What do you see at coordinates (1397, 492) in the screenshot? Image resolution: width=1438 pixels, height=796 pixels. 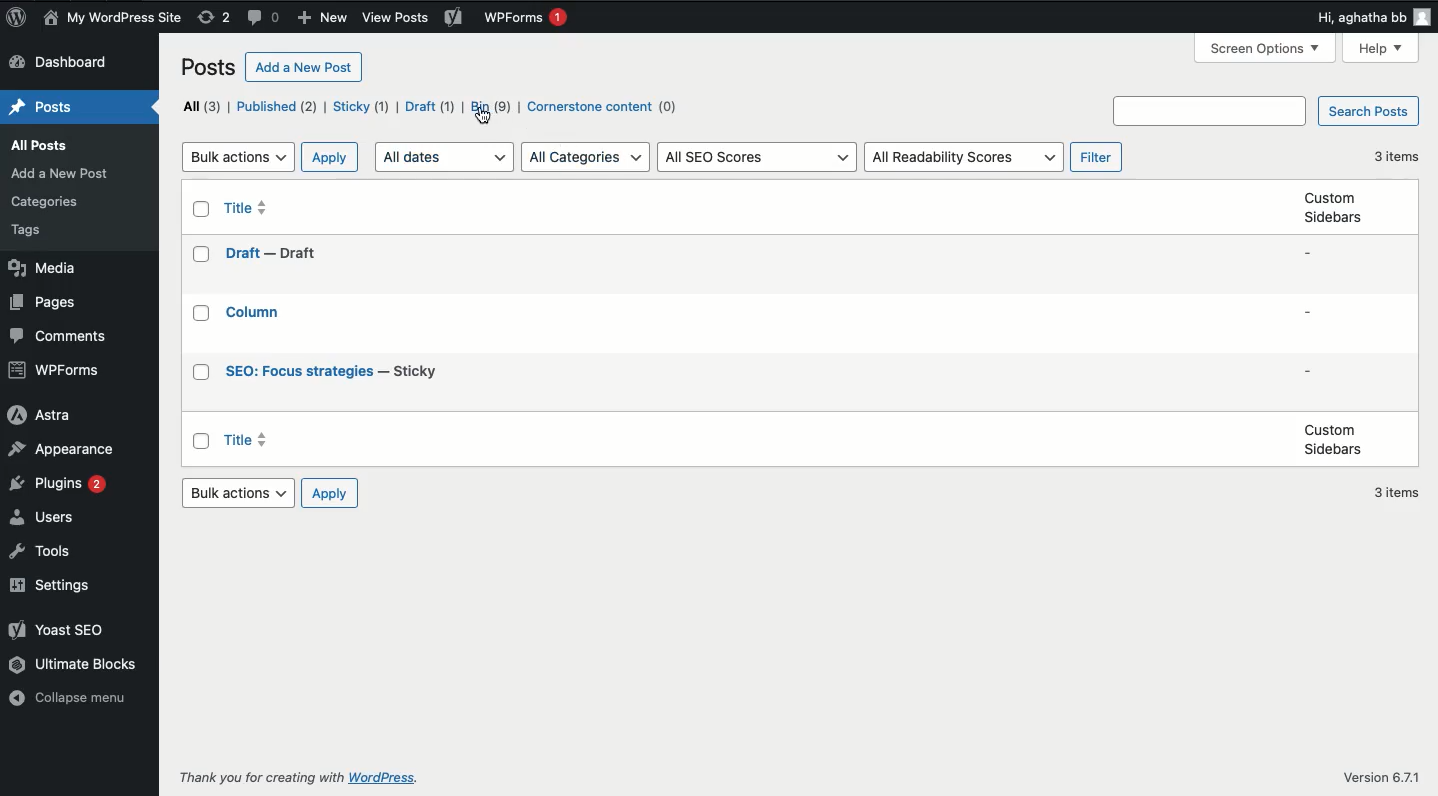 I see `3 items` at bounding box center [1397, 492].